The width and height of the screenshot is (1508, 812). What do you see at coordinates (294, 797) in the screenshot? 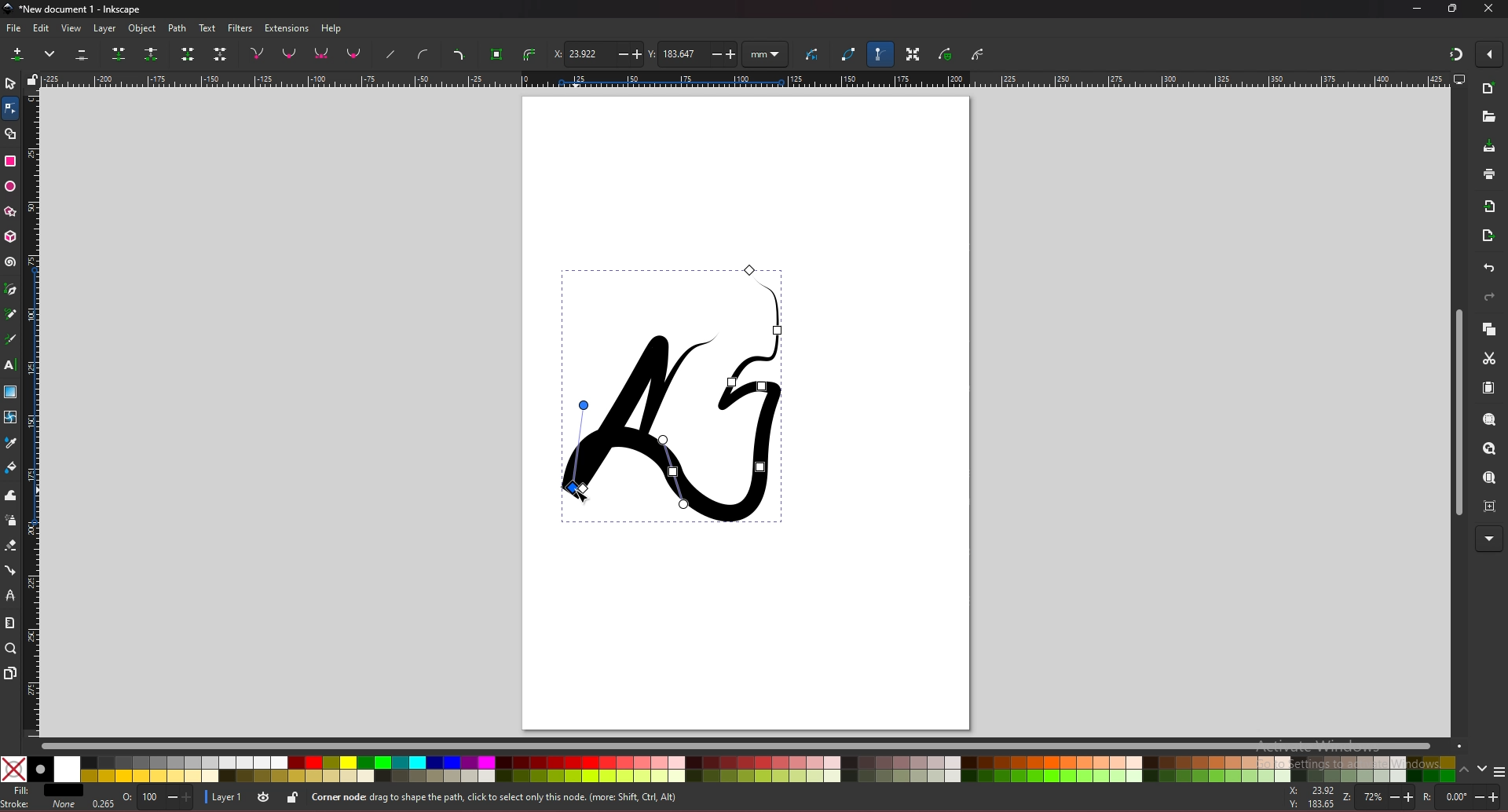
I see `toggle lock` at bounding box center [294, 797].